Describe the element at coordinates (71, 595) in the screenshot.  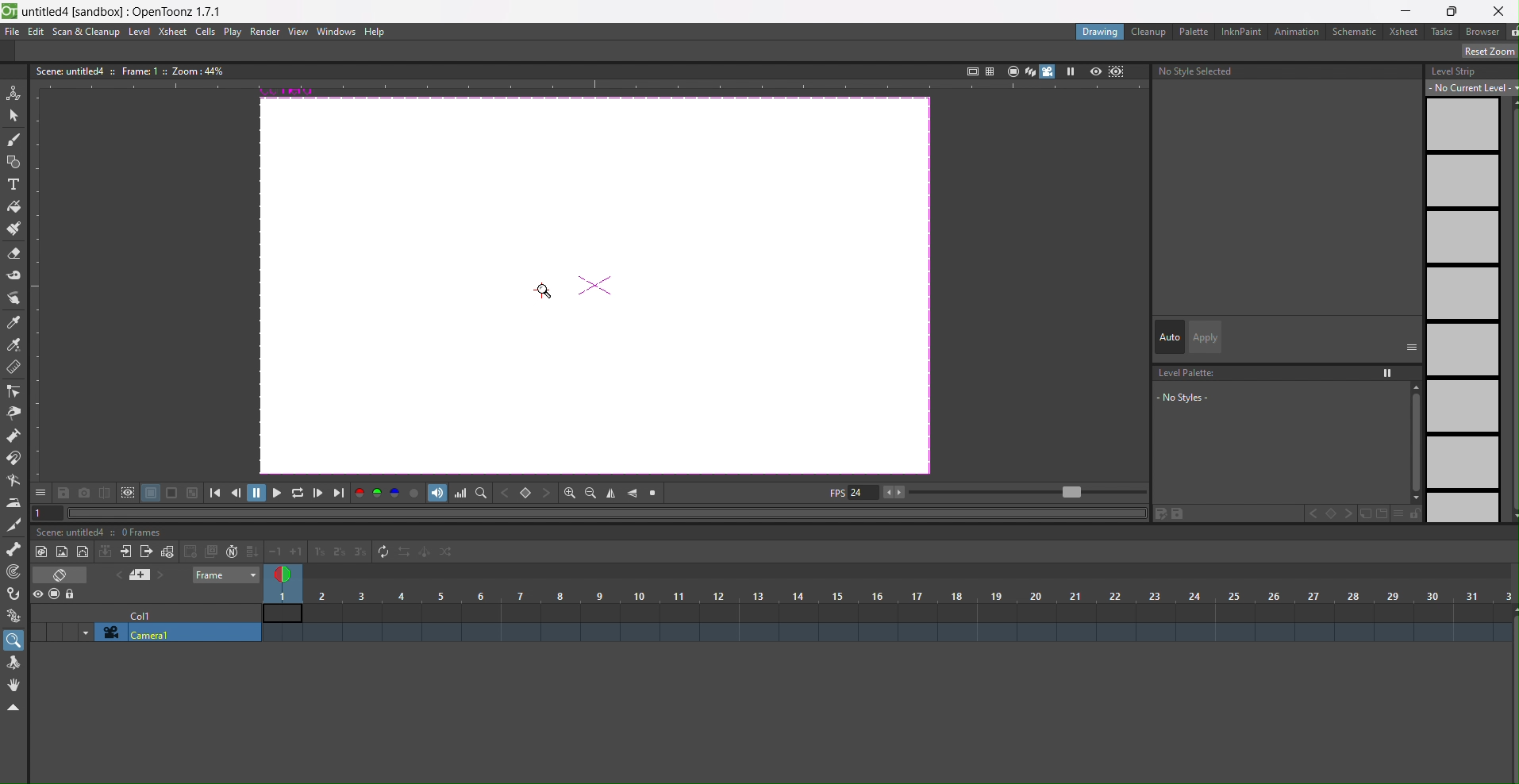
I see `lock column` at that location.